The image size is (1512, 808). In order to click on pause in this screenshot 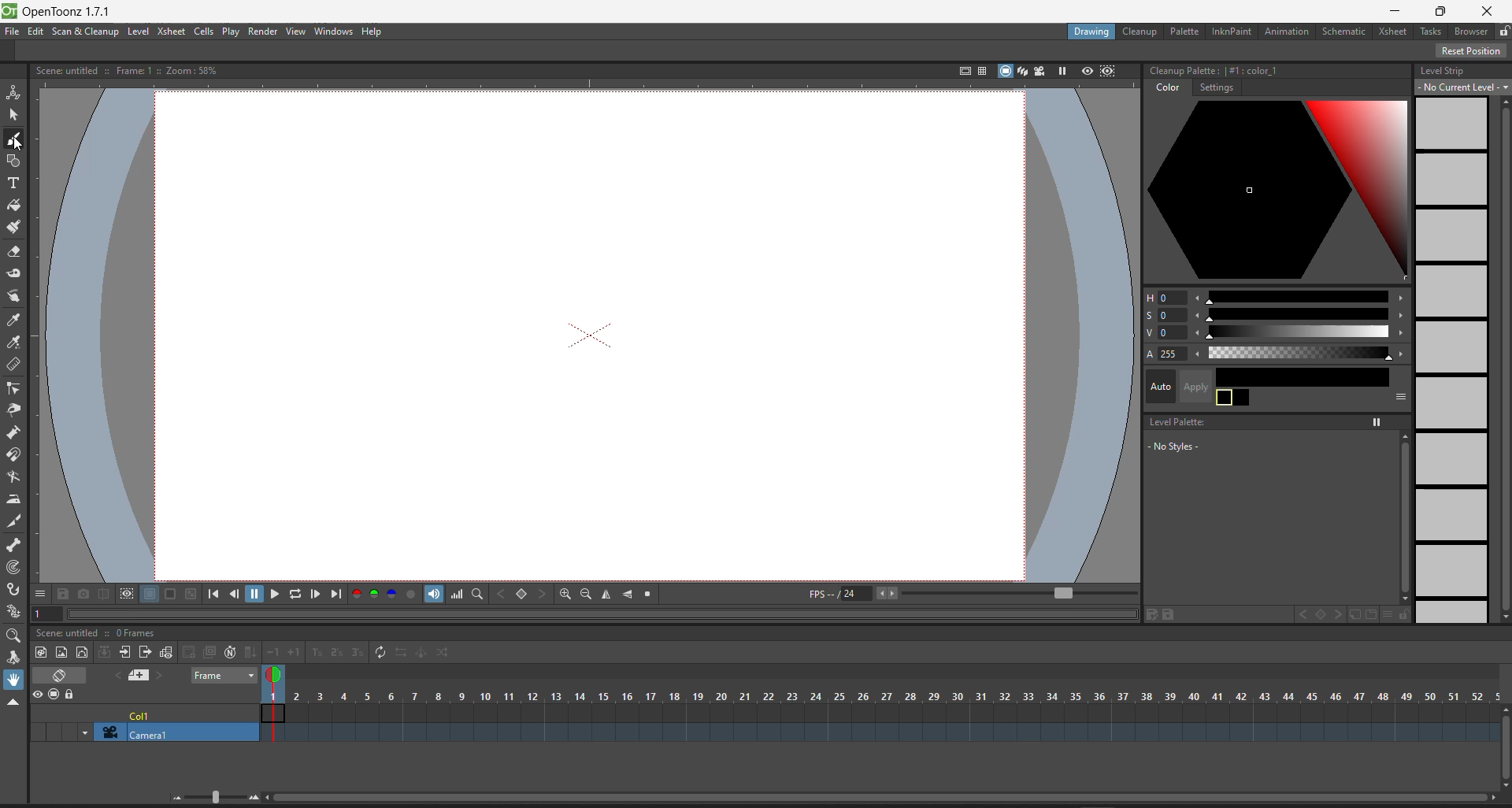, I will do `click(257, 594)`.